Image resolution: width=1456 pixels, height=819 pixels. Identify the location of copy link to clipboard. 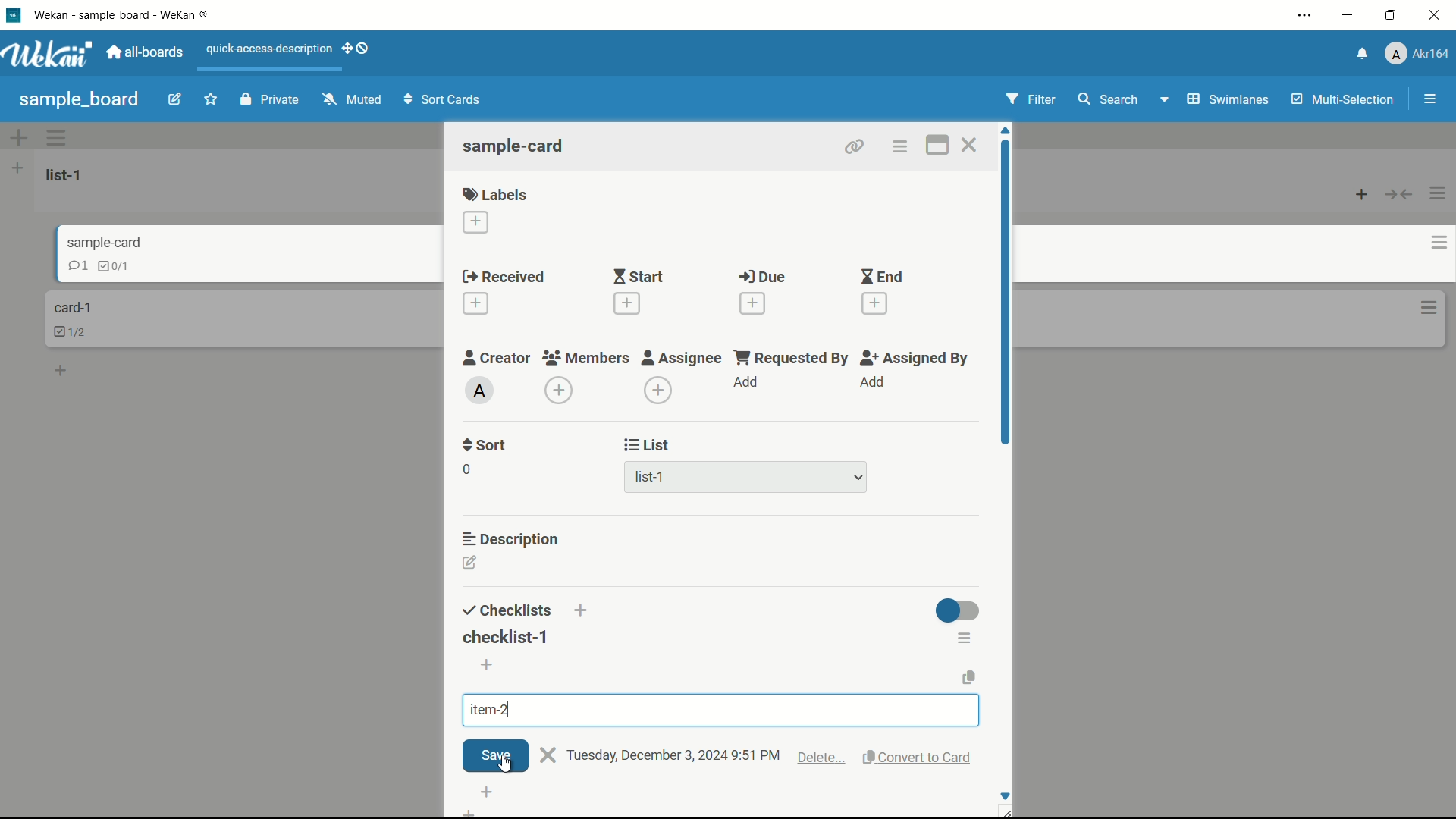
(855, 147).